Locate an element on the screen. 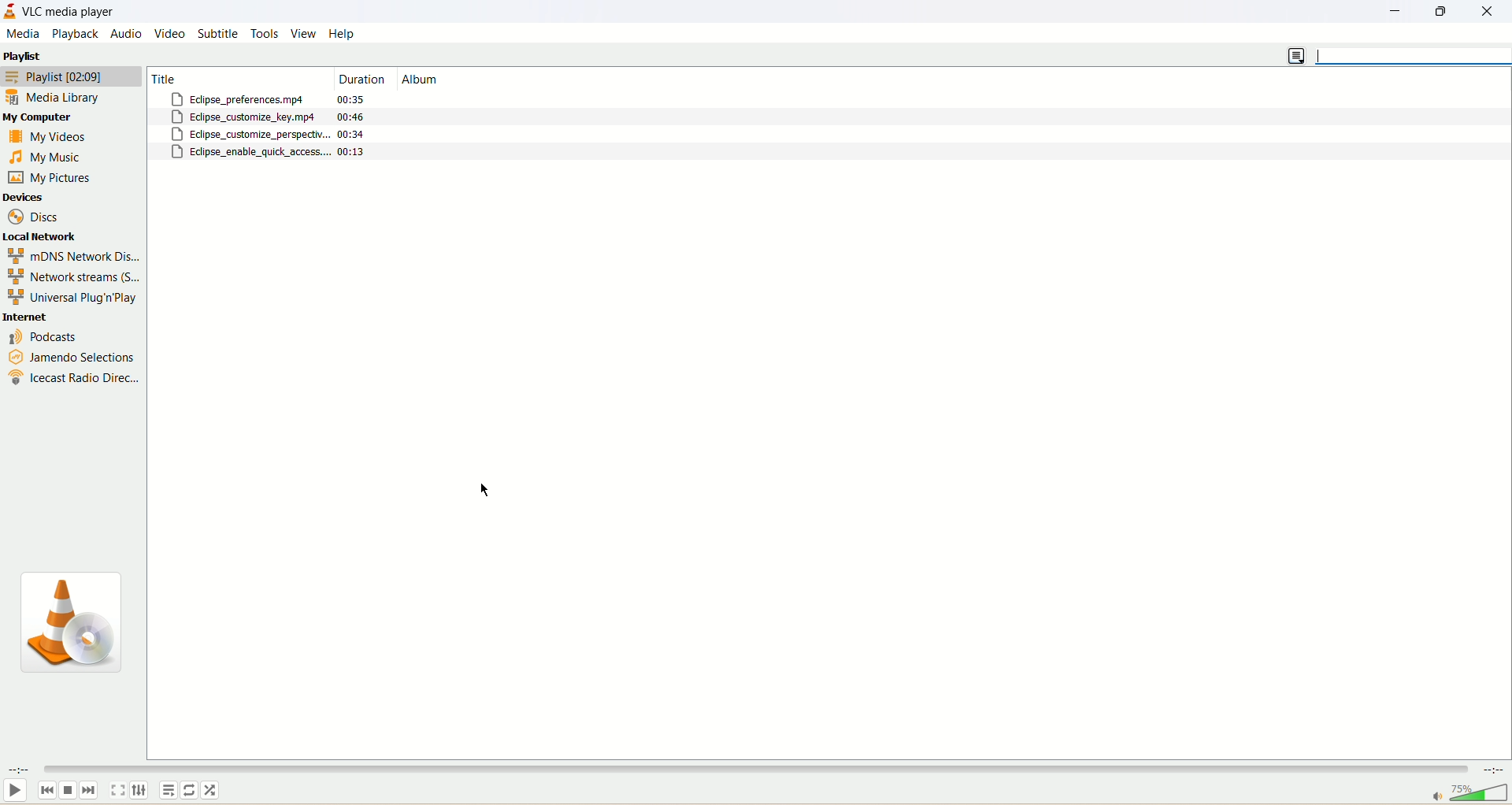 This screenshot has height=805, width=1512. audio is located at coordinates (124, 33).